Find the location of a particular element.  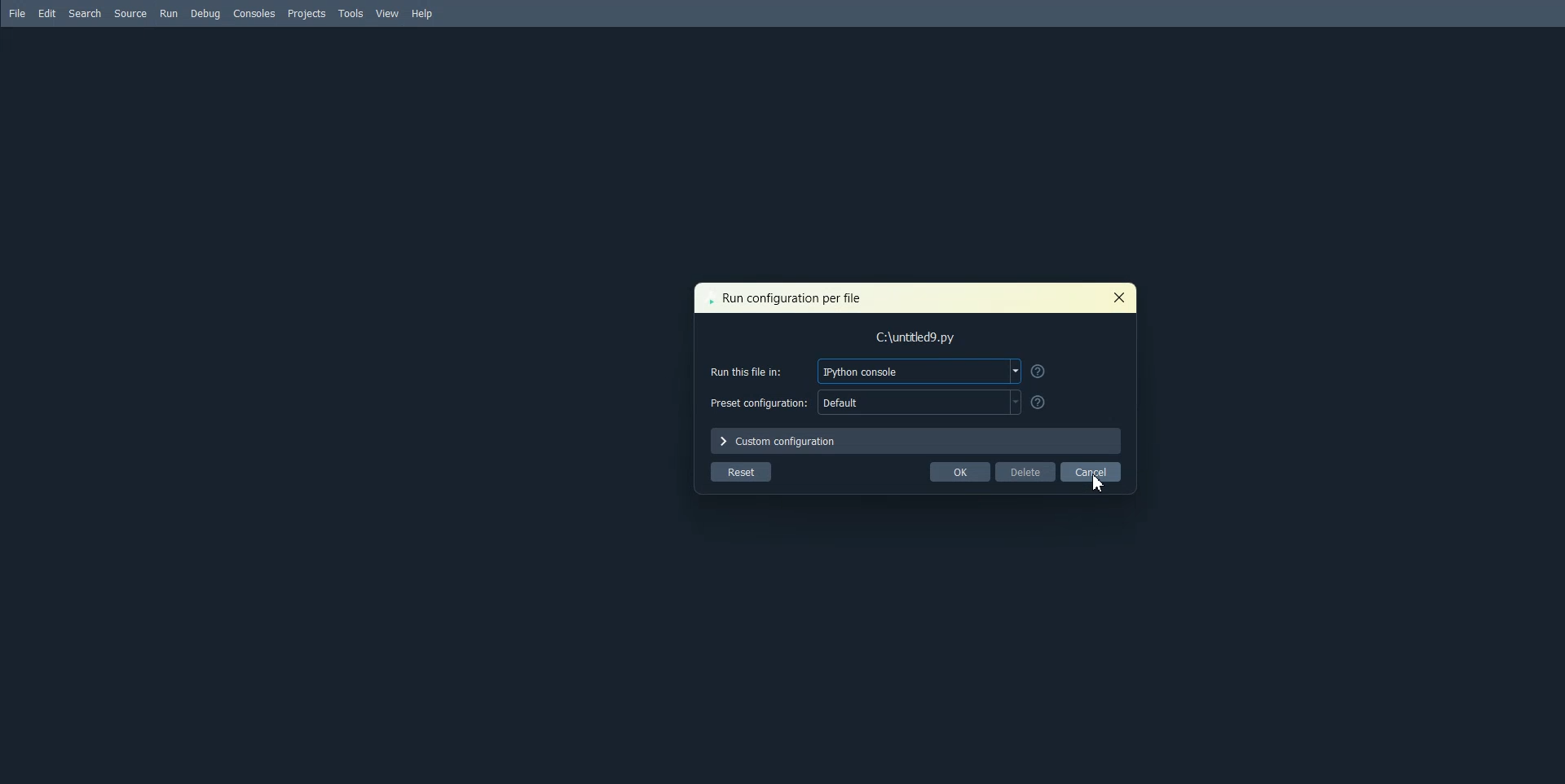

Cursor is located at coordinates (1096, 482).